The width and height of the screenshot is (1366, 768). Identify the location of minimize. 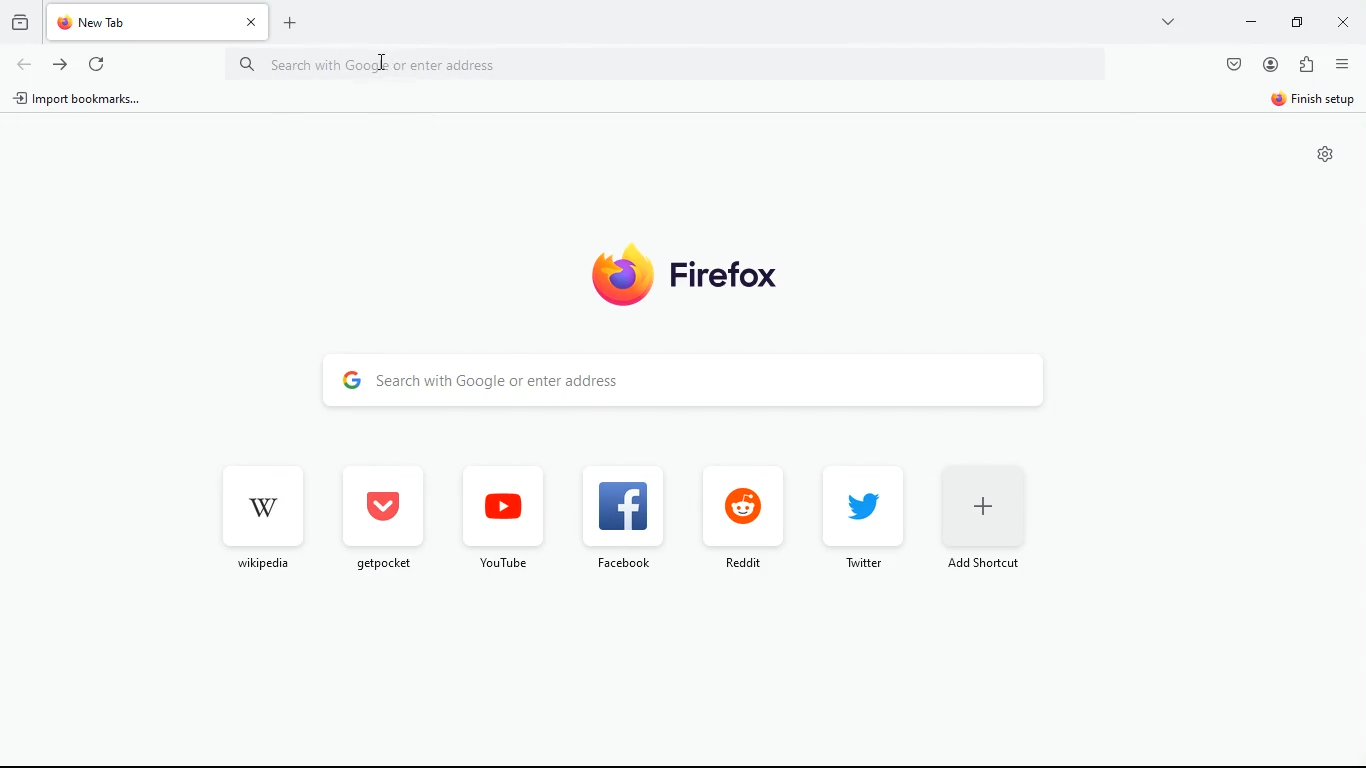
(1248, 23).